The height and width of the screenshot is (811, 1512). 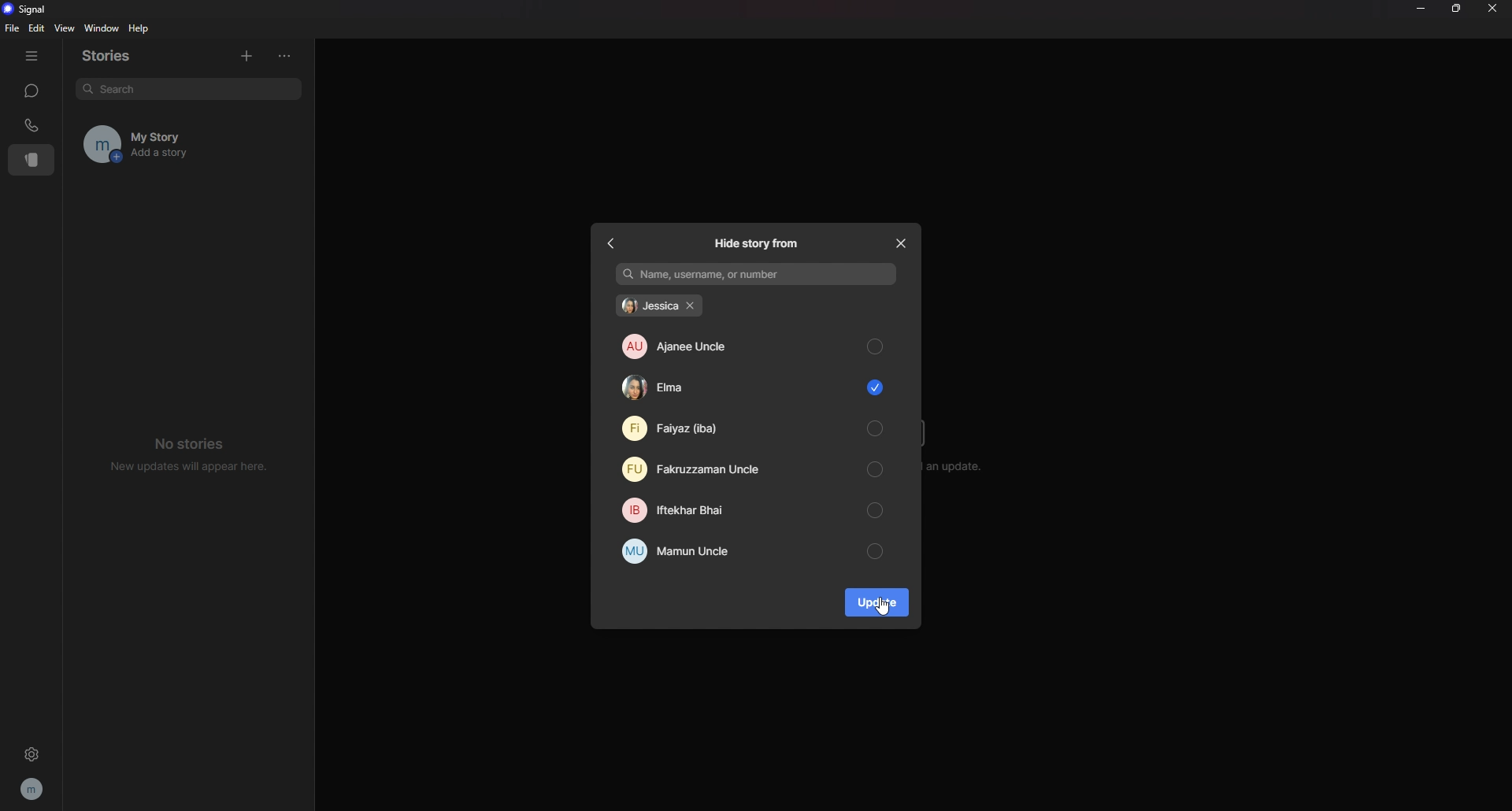 What do you see at coordinates (64, 28) in the screenshot?
I see `view` at bounding box center [64, 28].